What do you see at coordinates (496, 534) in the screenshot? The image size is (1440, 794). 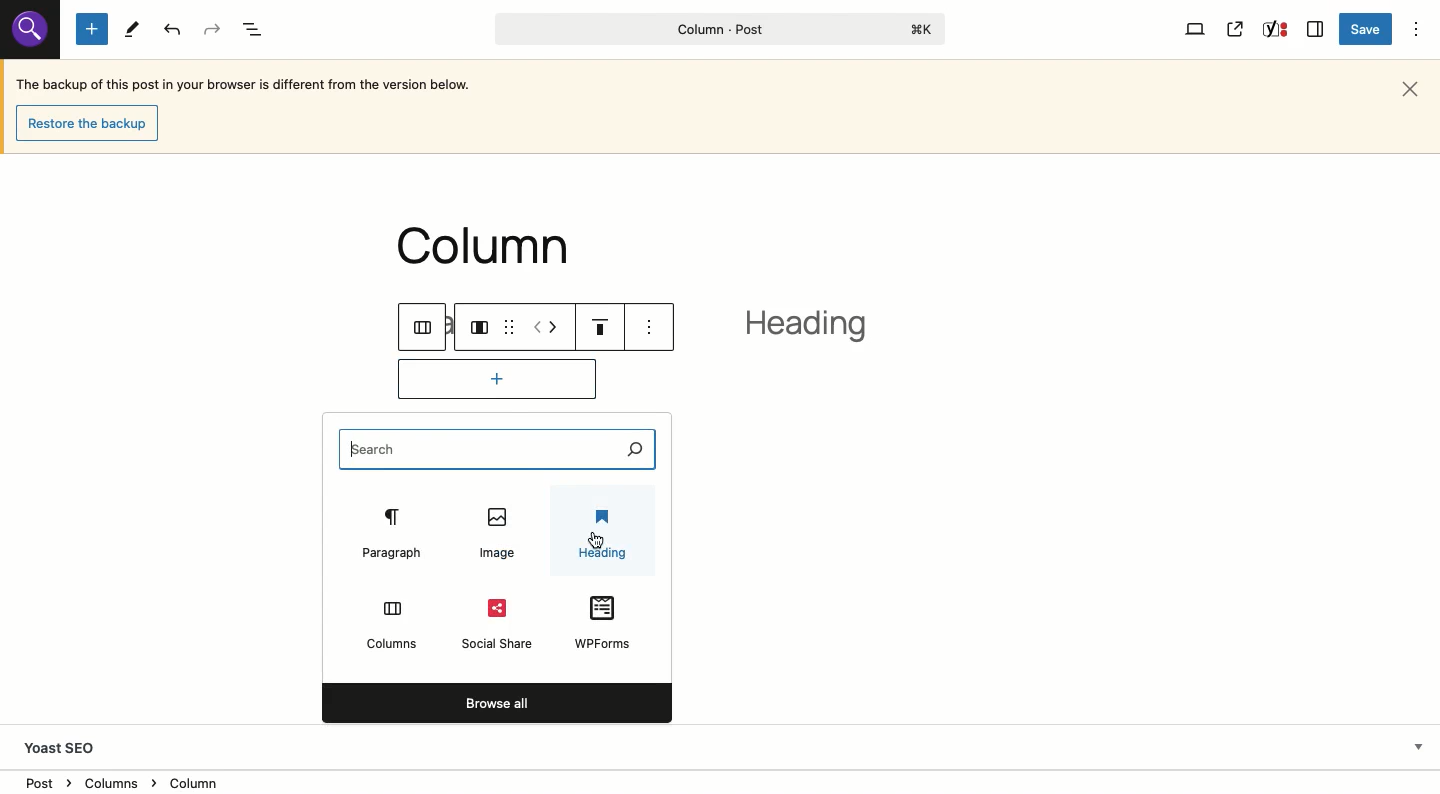 I see `Image` at bounding box center [496, 534].